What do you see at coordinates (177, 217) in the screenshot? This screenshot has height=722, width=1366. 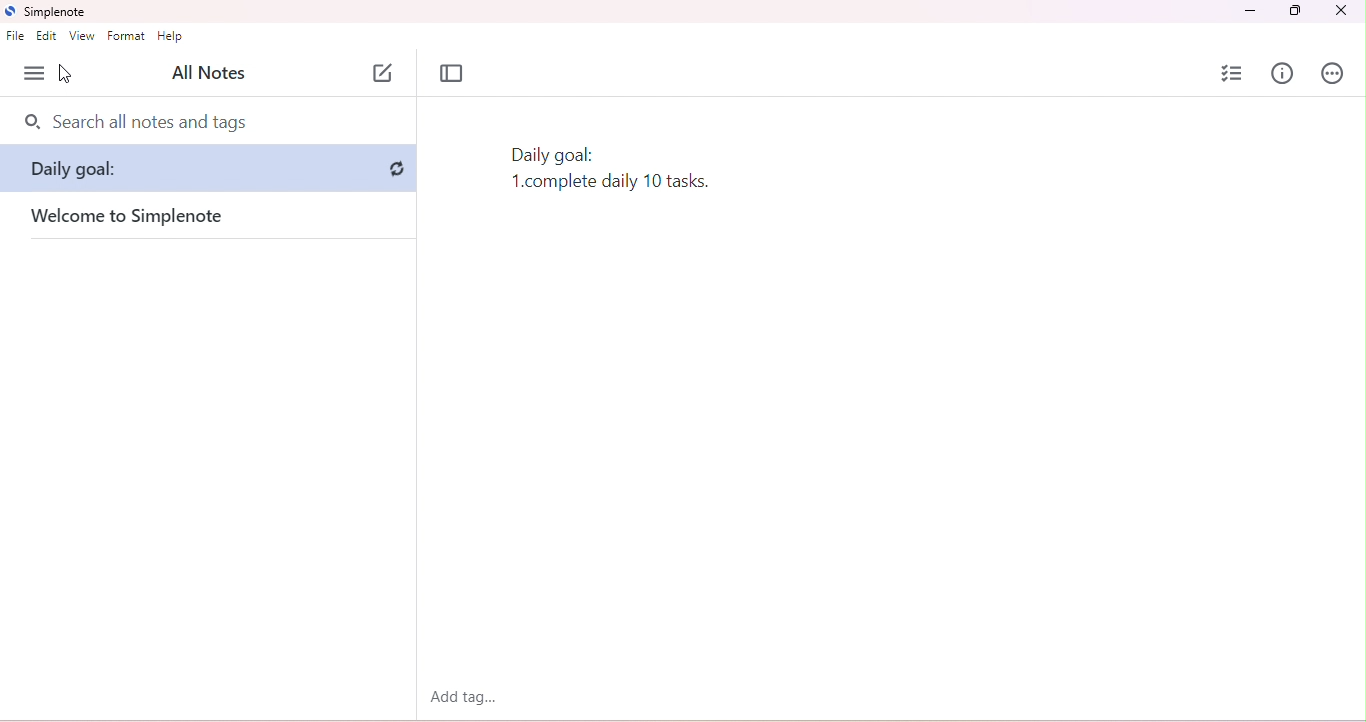 I see `welcome to simple note` at bounding box center [177, 217].